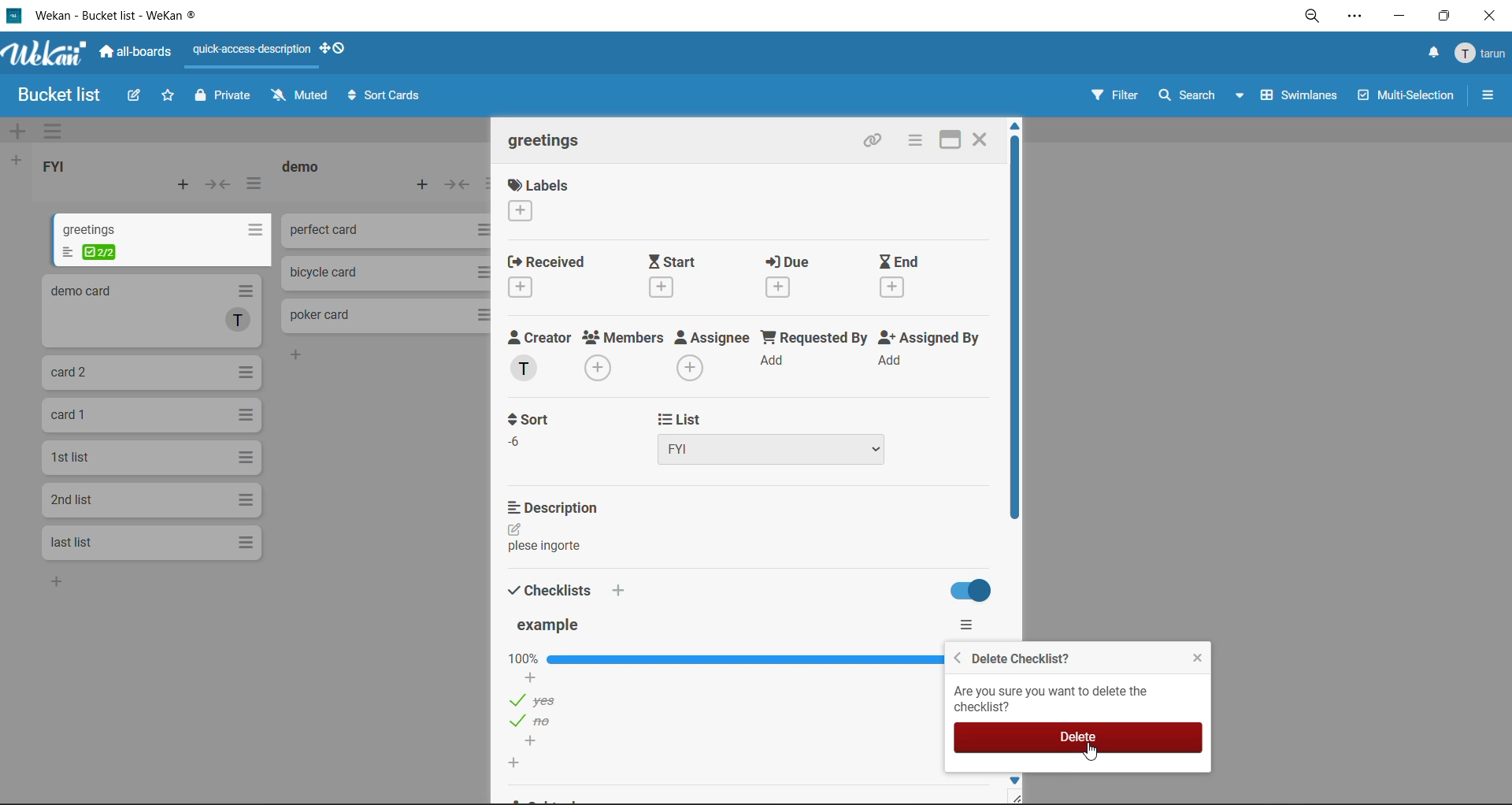 This screenshot has height=805, width=1512. I want to click on settings, so click(1359, 17).